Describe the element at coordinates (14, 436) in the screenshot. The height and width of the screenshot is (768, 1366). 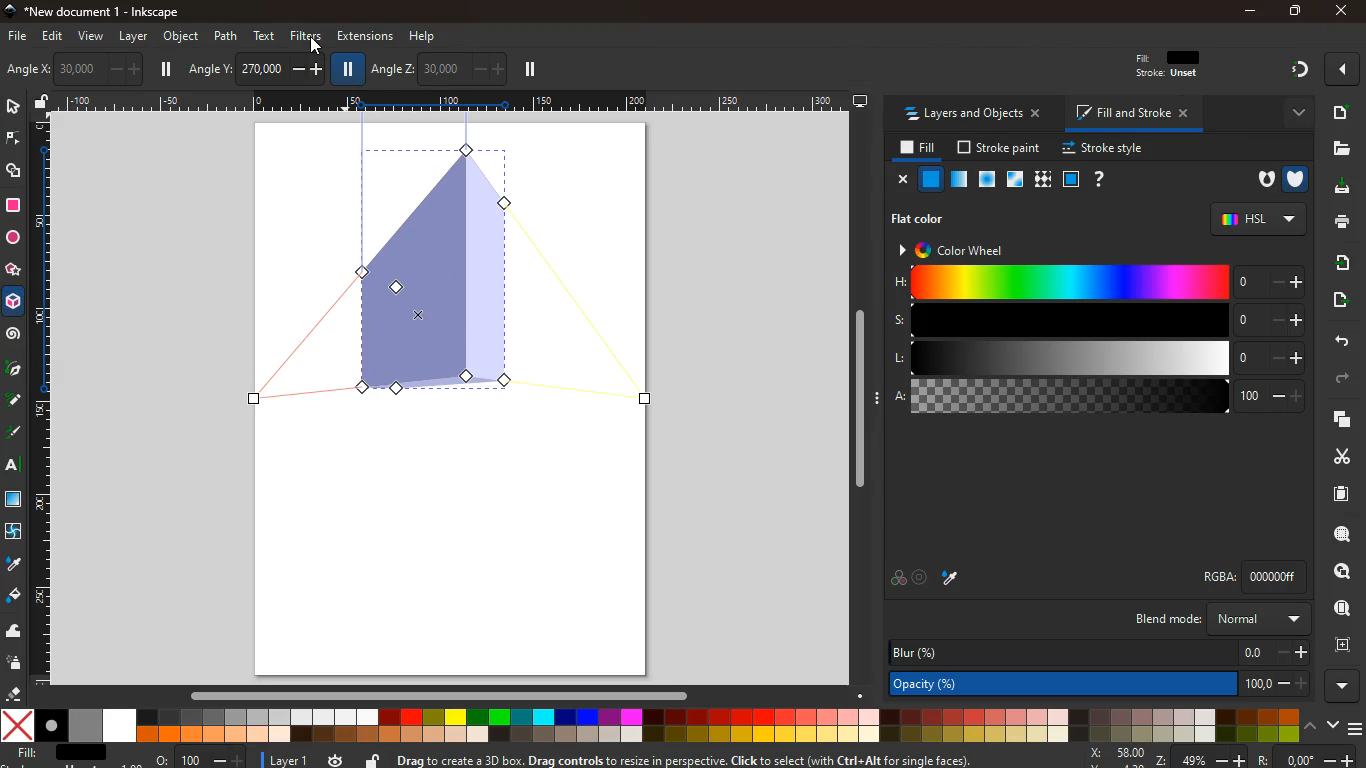
I see `draw` at that location.